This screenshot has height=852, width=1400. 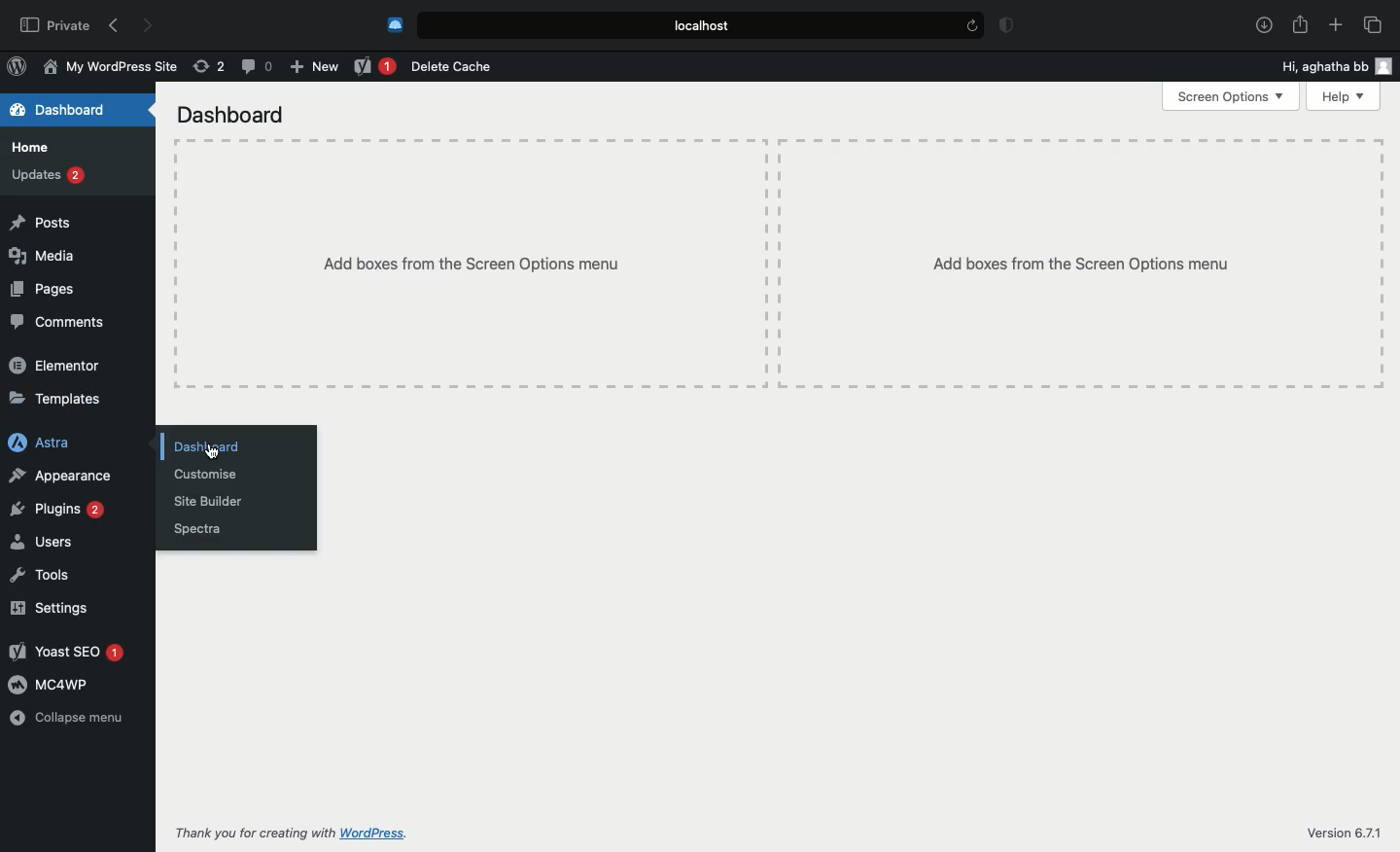 I want to click on Pages, so click(x=43, y=290).